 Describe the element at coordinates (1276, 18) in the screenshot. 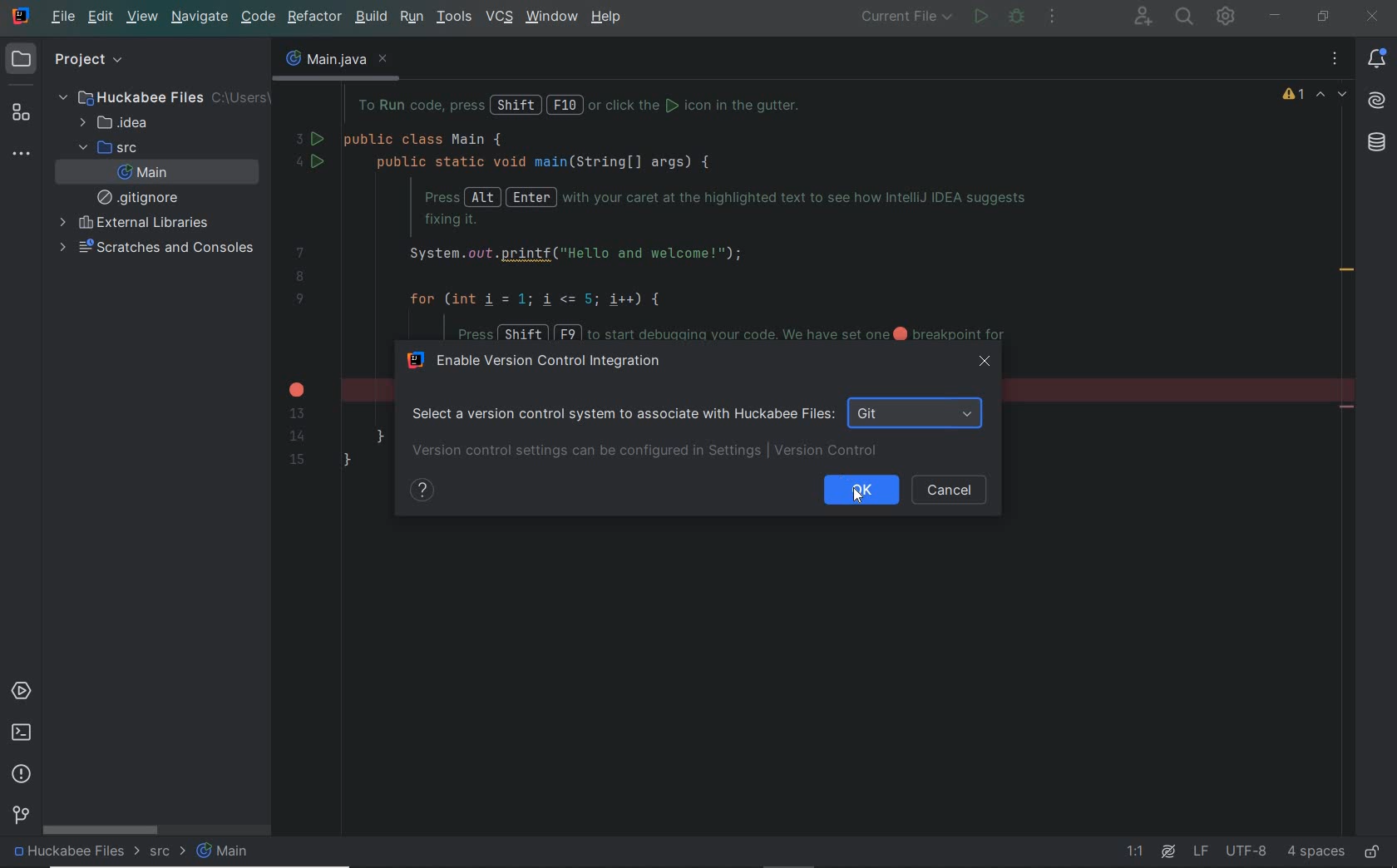

I see `MINIMIZE` at that location.